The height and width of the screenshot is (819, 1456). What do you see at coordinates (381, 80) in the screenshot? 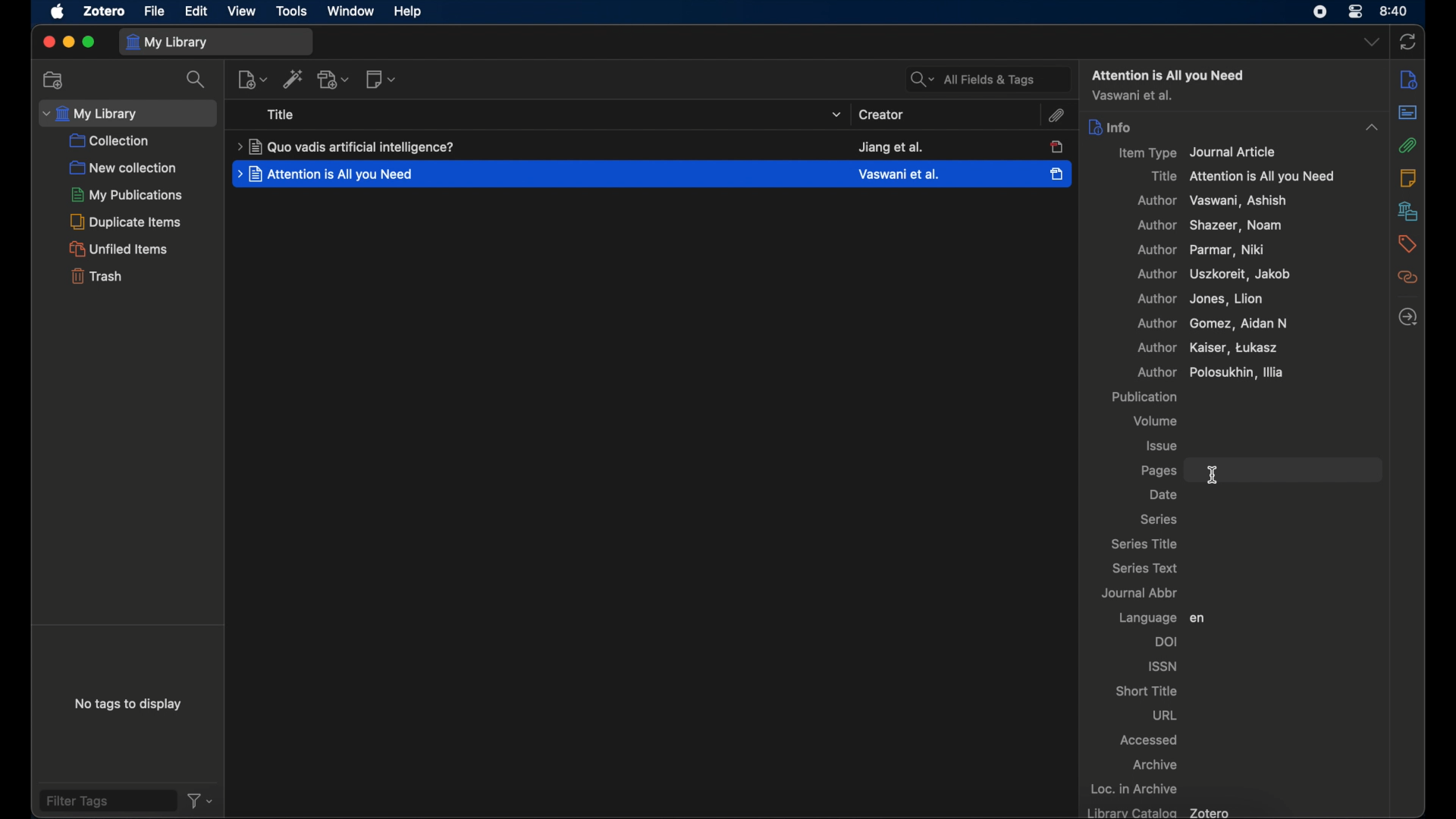
I see `new notes` at bounding box center [381, 80].